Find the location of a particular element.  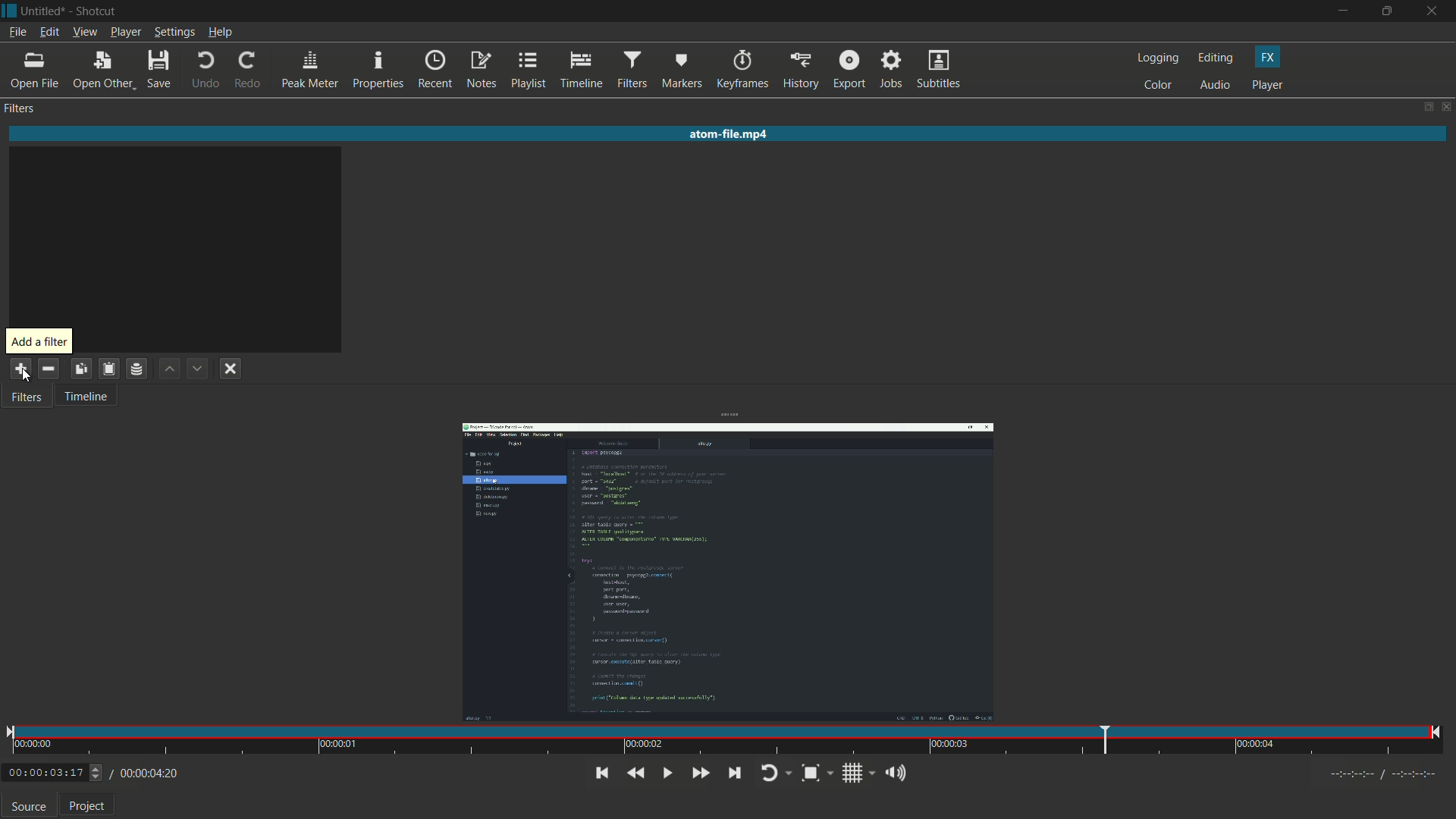

open other is located at coordinates (104, 68).